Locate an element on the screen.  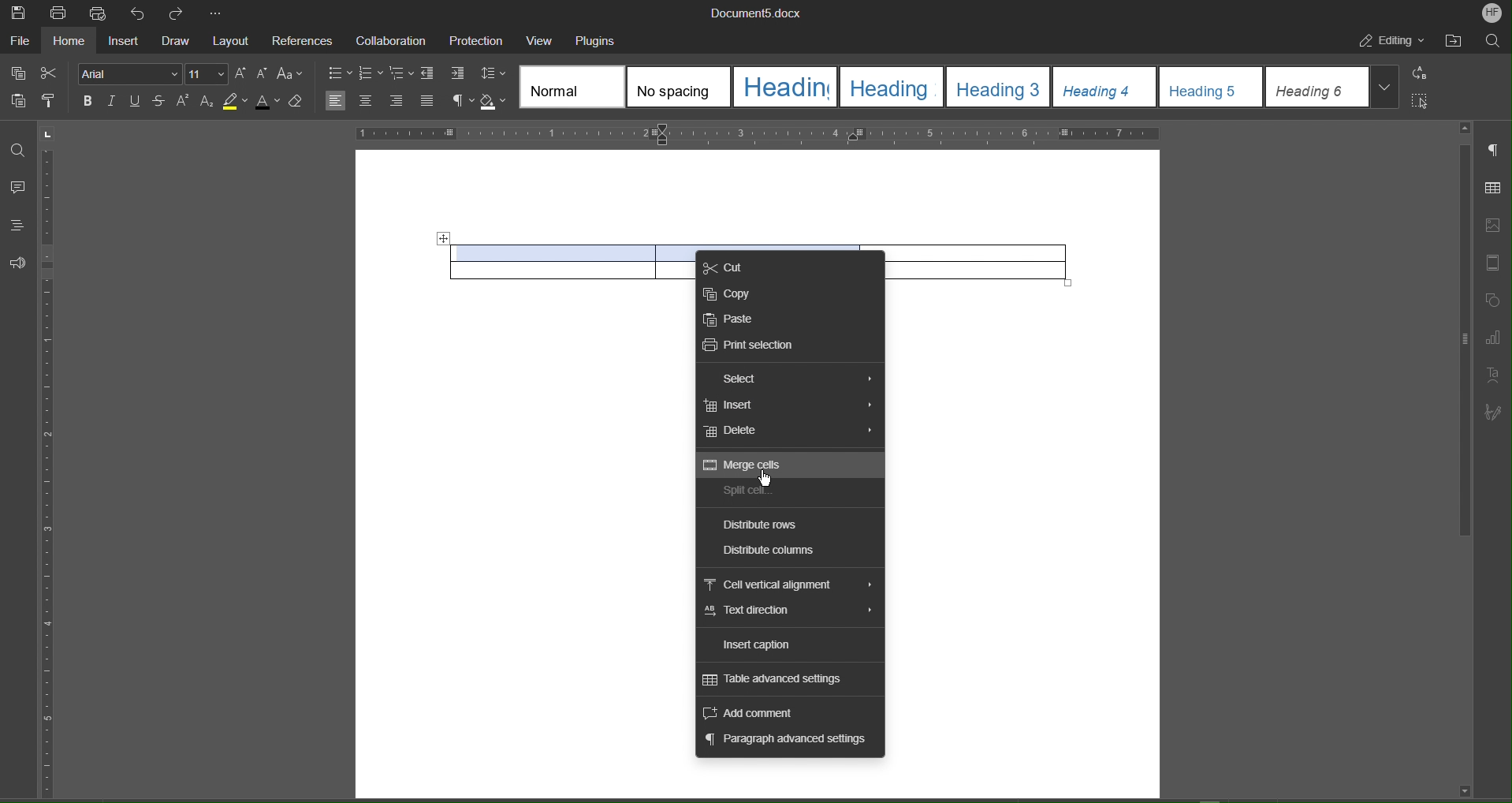
More is located at coordinates (218, 14).